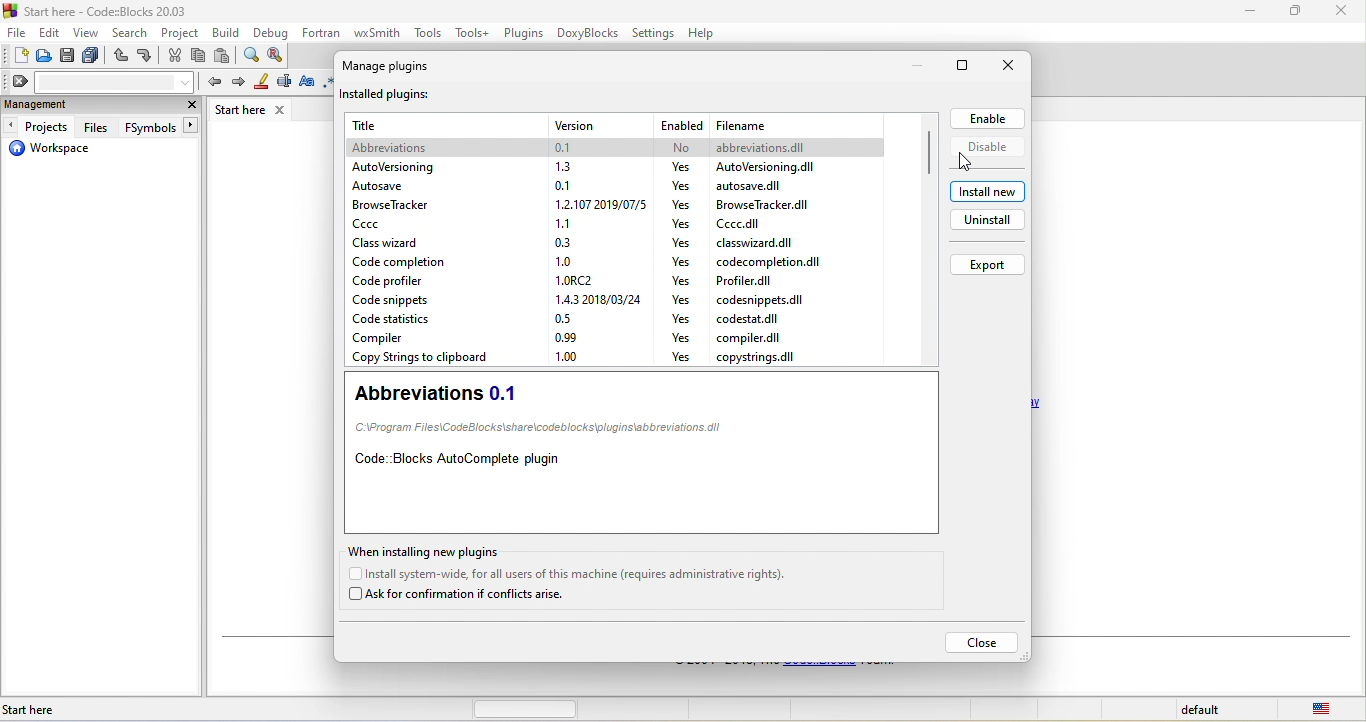 The image size is (1366, 722). Describe the element at coordinates (563, 243) in the screenshot. I see `version ` at that location.